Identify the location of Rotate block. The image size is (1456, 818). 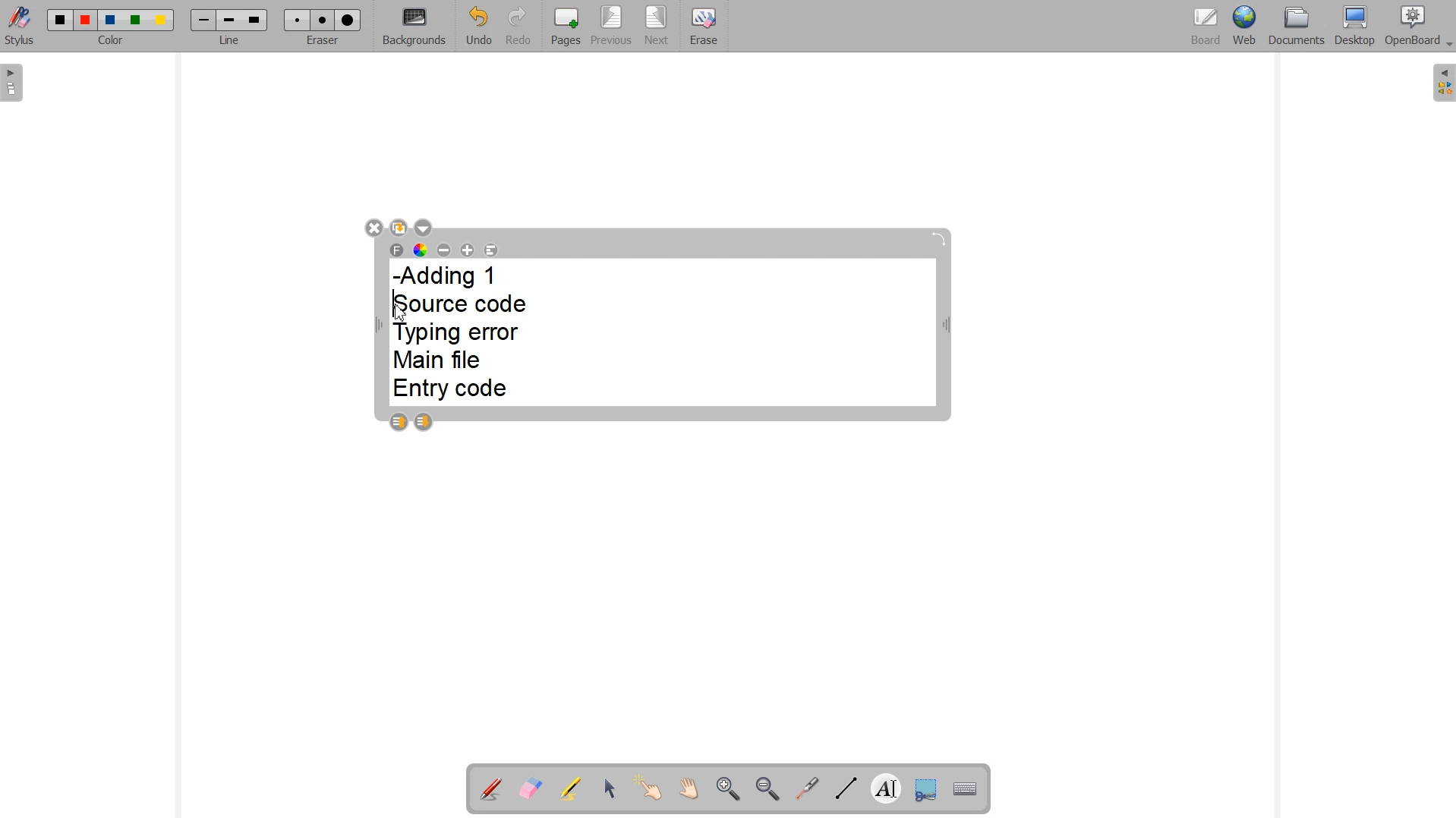
(938, 240).